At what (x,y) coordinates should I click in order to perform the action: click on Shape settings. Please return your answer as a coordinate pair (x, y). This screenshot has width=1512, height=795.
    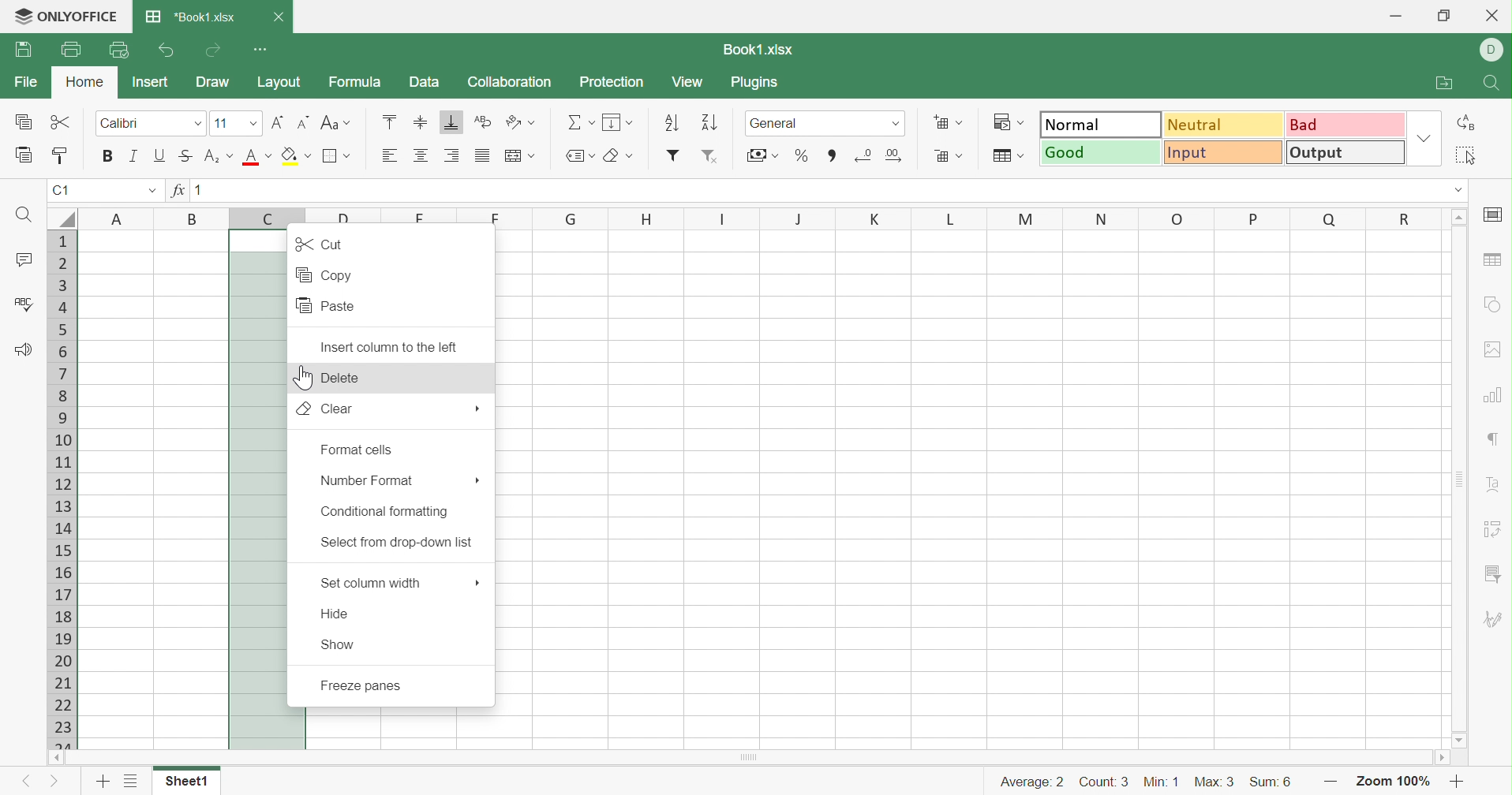
    Looking at the image, I should click on (1493, 303).